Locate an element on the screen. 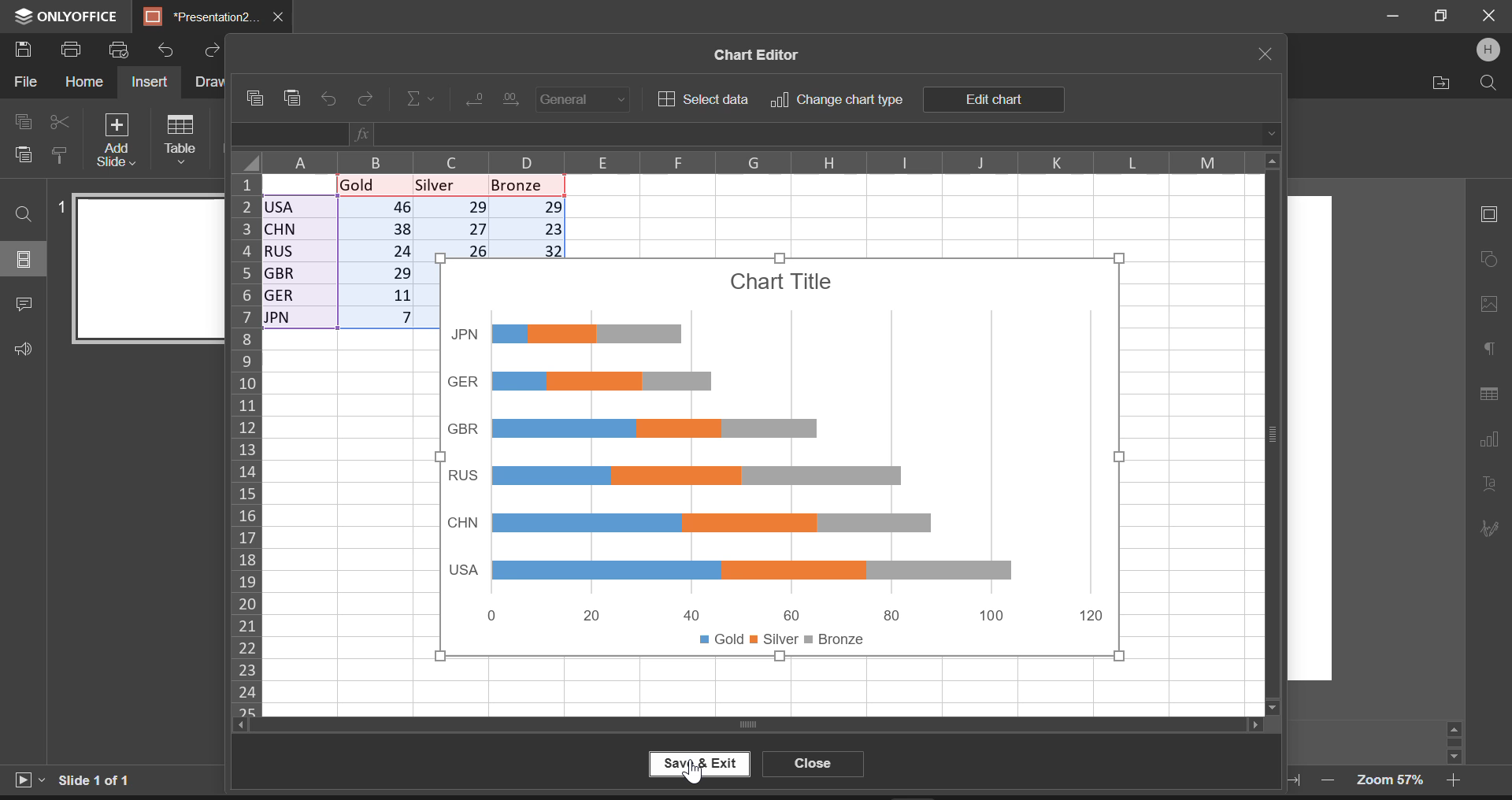 Image resolution: width=1512 pixels, height=800 pixels. Paragraph Settings is located at coordinates (1489, 345).